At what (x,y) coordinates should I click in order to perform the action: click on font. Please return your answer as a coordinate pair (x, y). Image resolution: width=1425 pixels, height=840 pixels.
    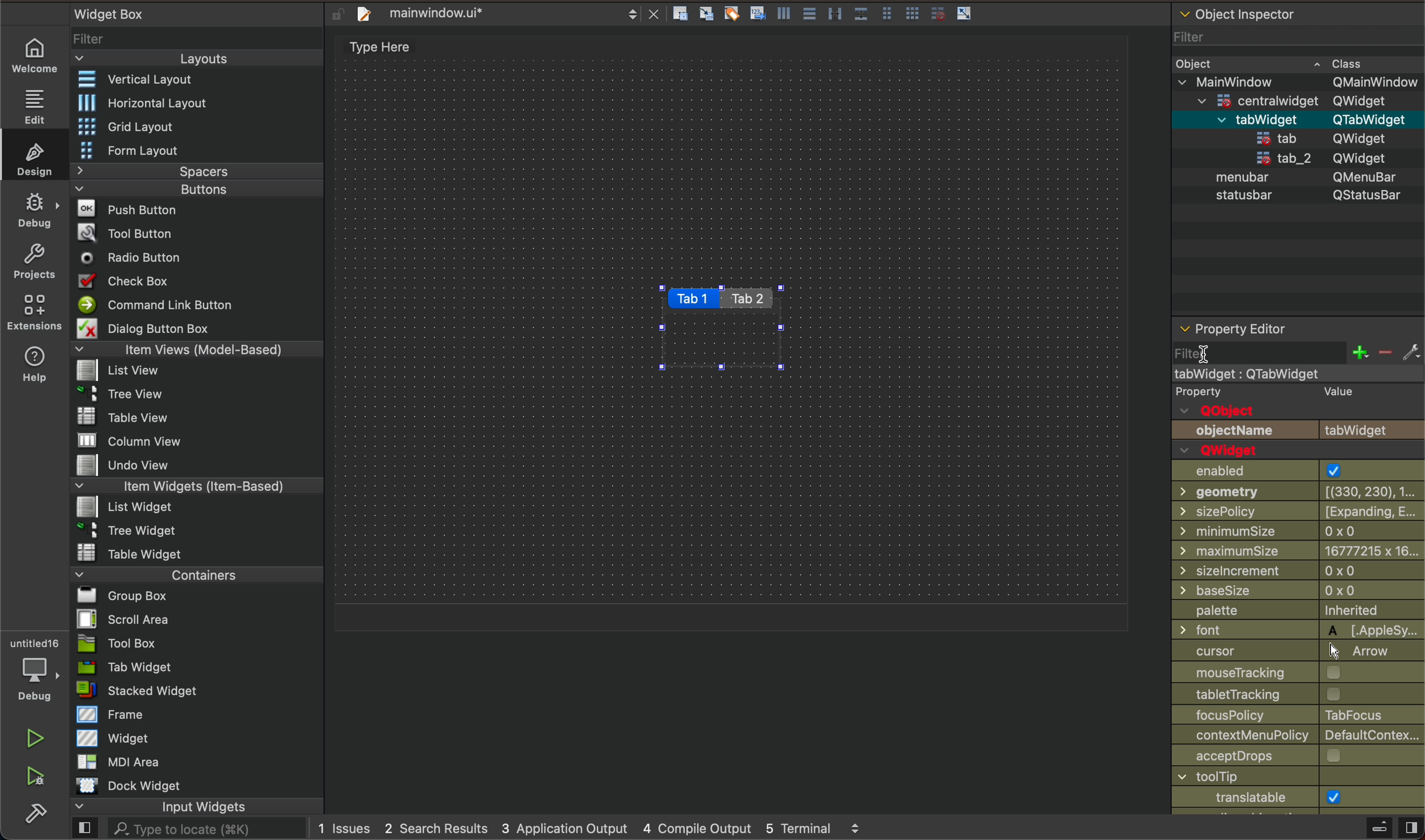
    Looking at the image, I should click on (1296, 630).